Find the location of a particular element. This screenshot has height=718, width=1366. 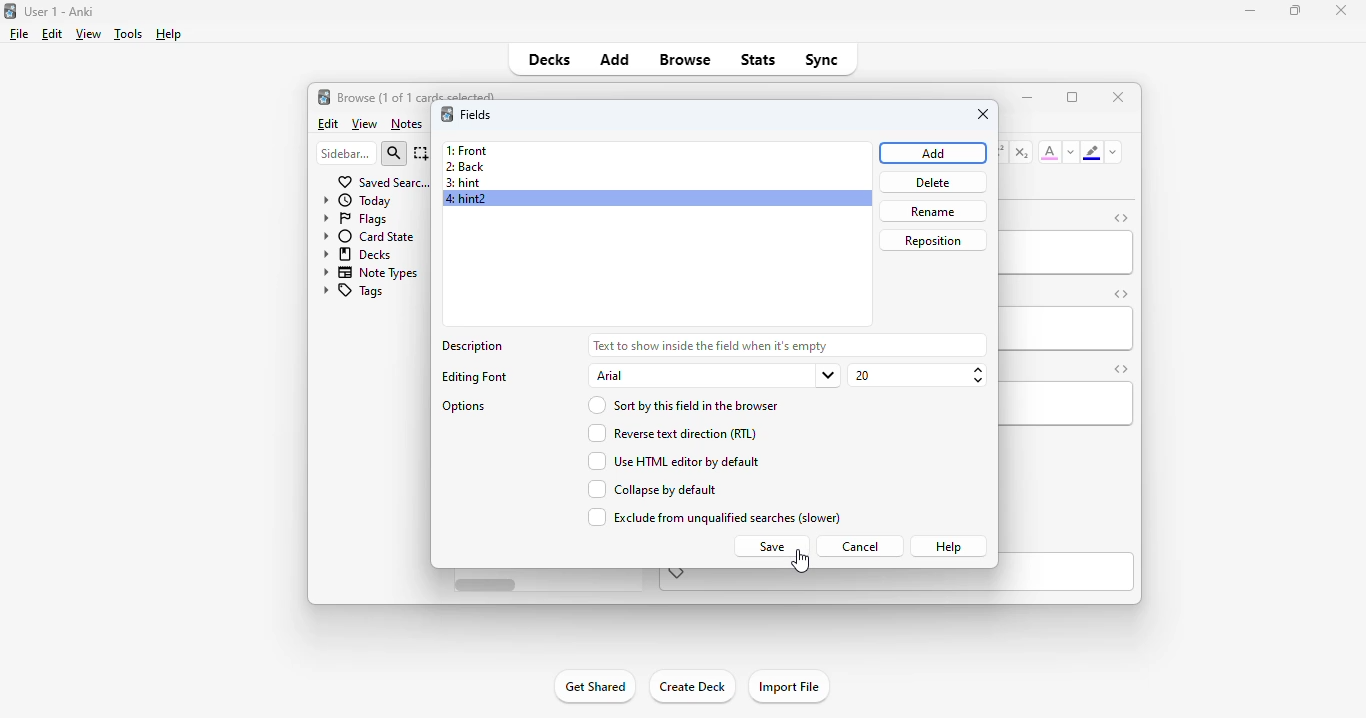

change color is located at coordinates (1113, 152).